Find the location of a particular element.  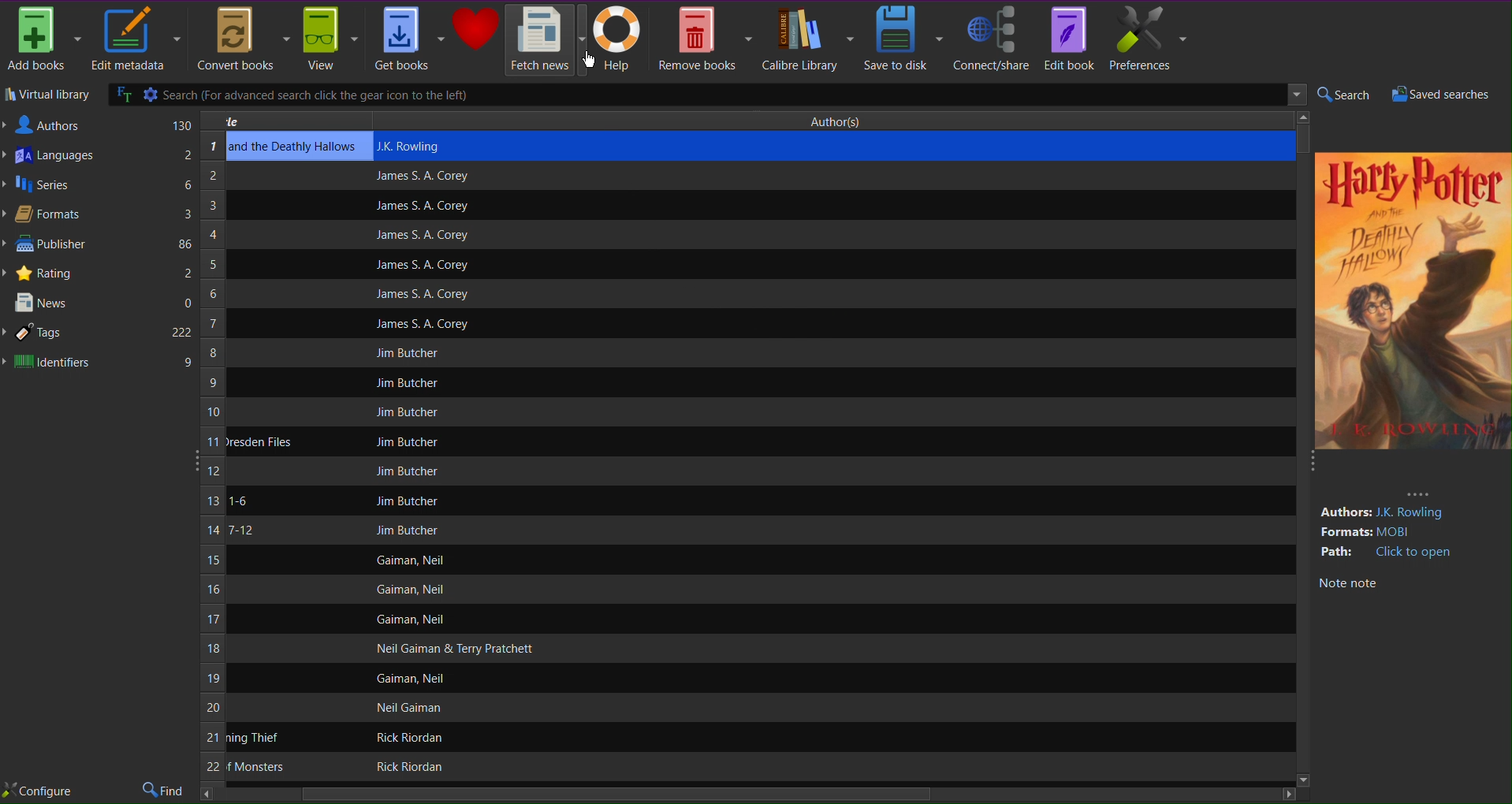

Search is located at coordinates (1343, 95).